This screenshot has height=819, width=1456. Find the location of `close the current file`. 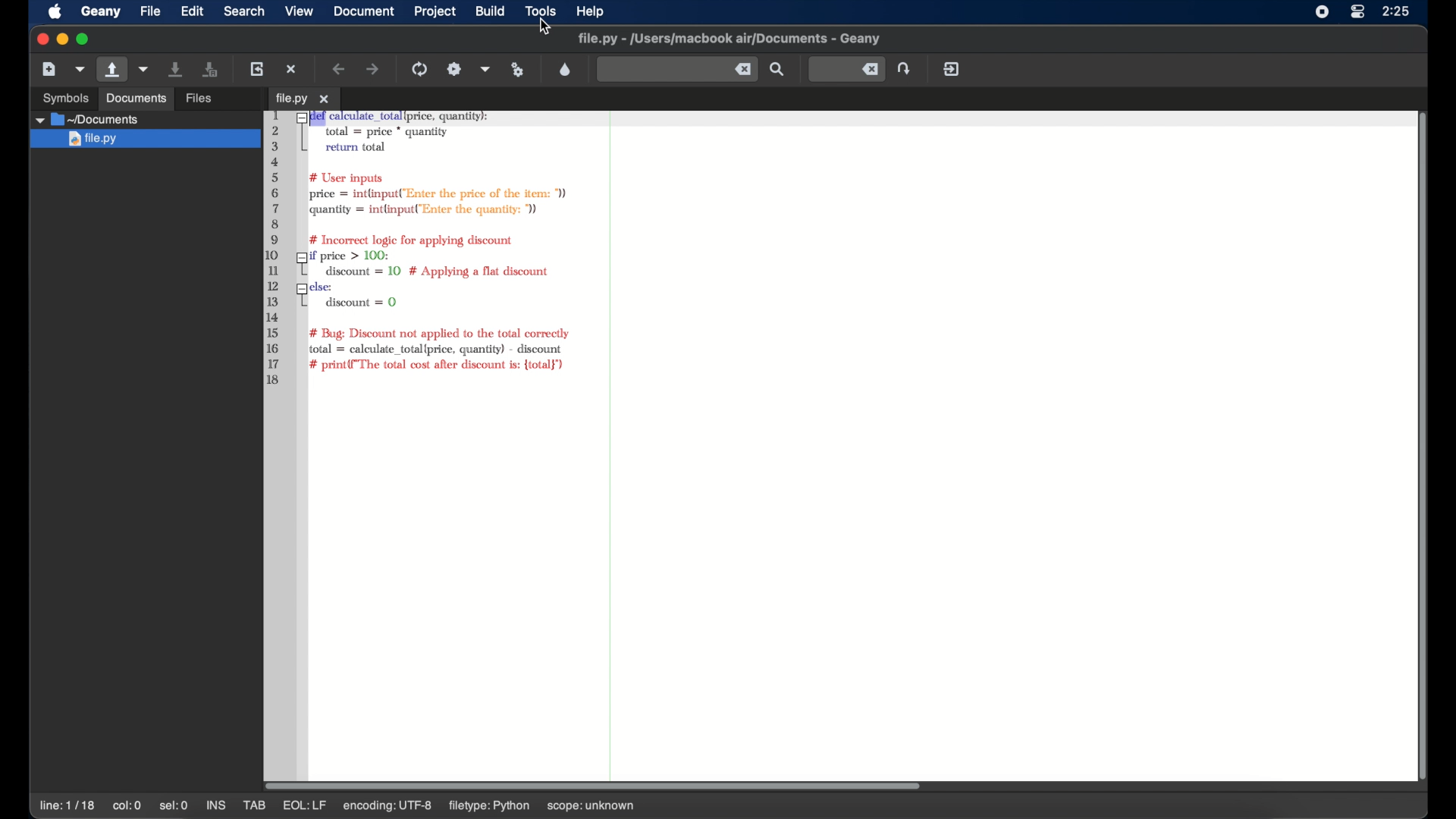

close the current file is located at coordinates (292, 69).